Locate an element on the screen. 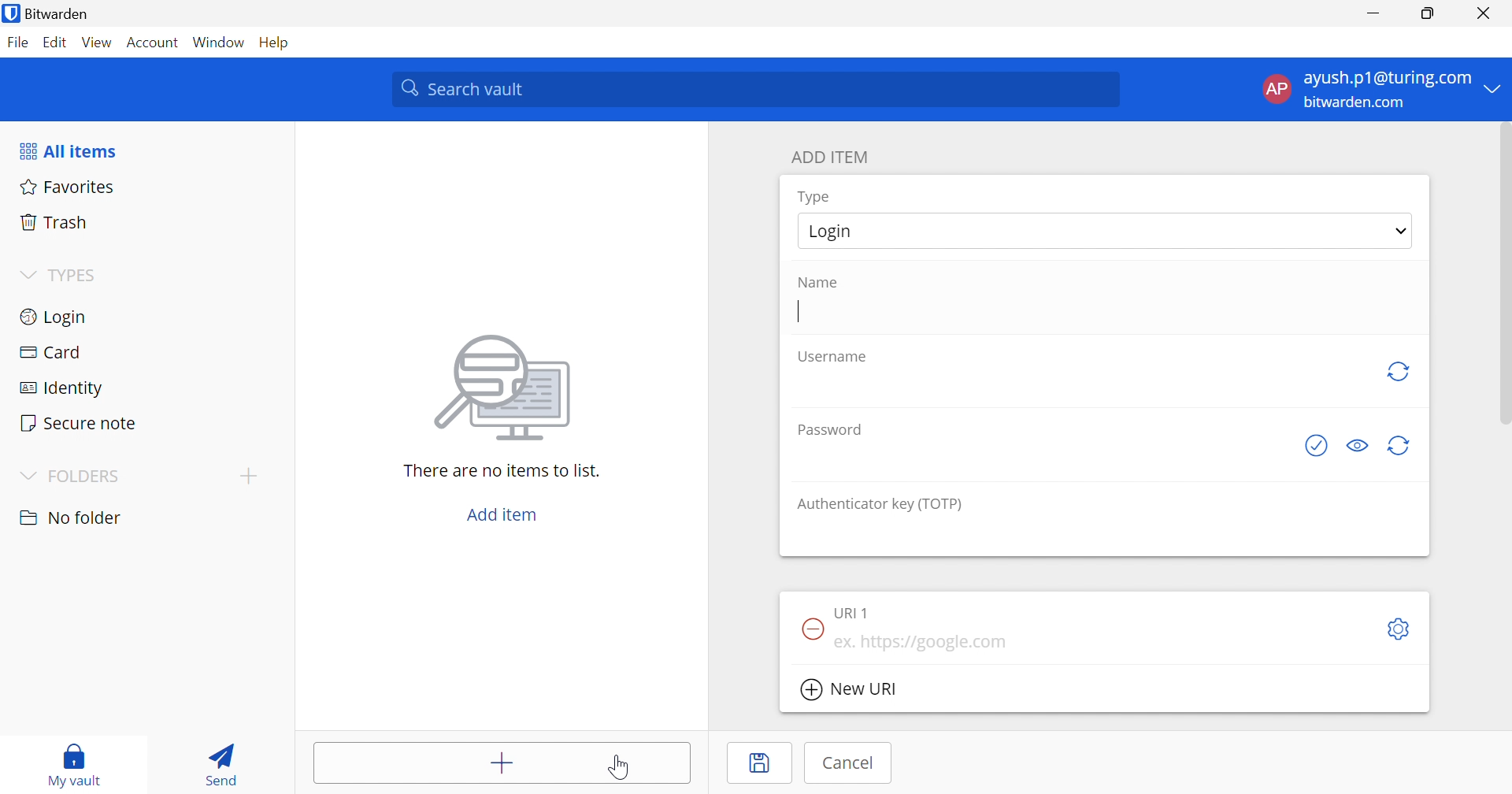  Regenerate username is located at coordinates (1398, 371).